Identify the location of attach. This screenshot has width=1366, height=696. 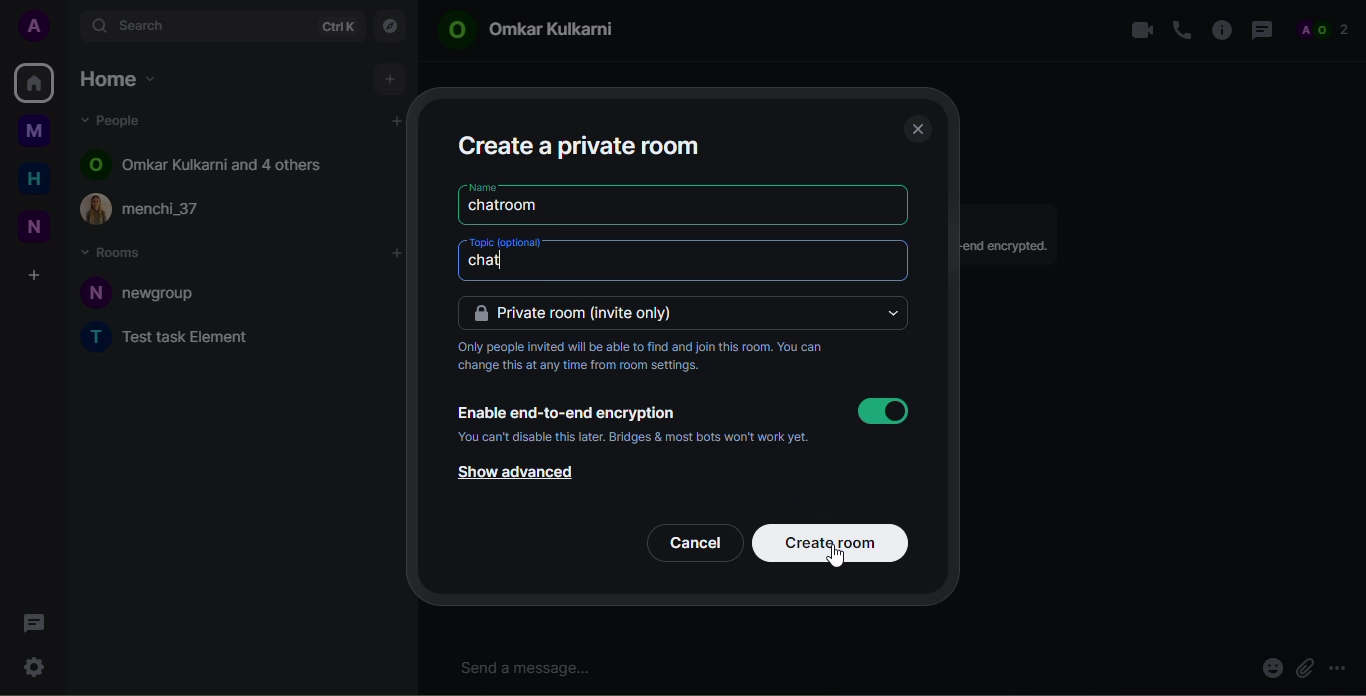
(1304, 669).